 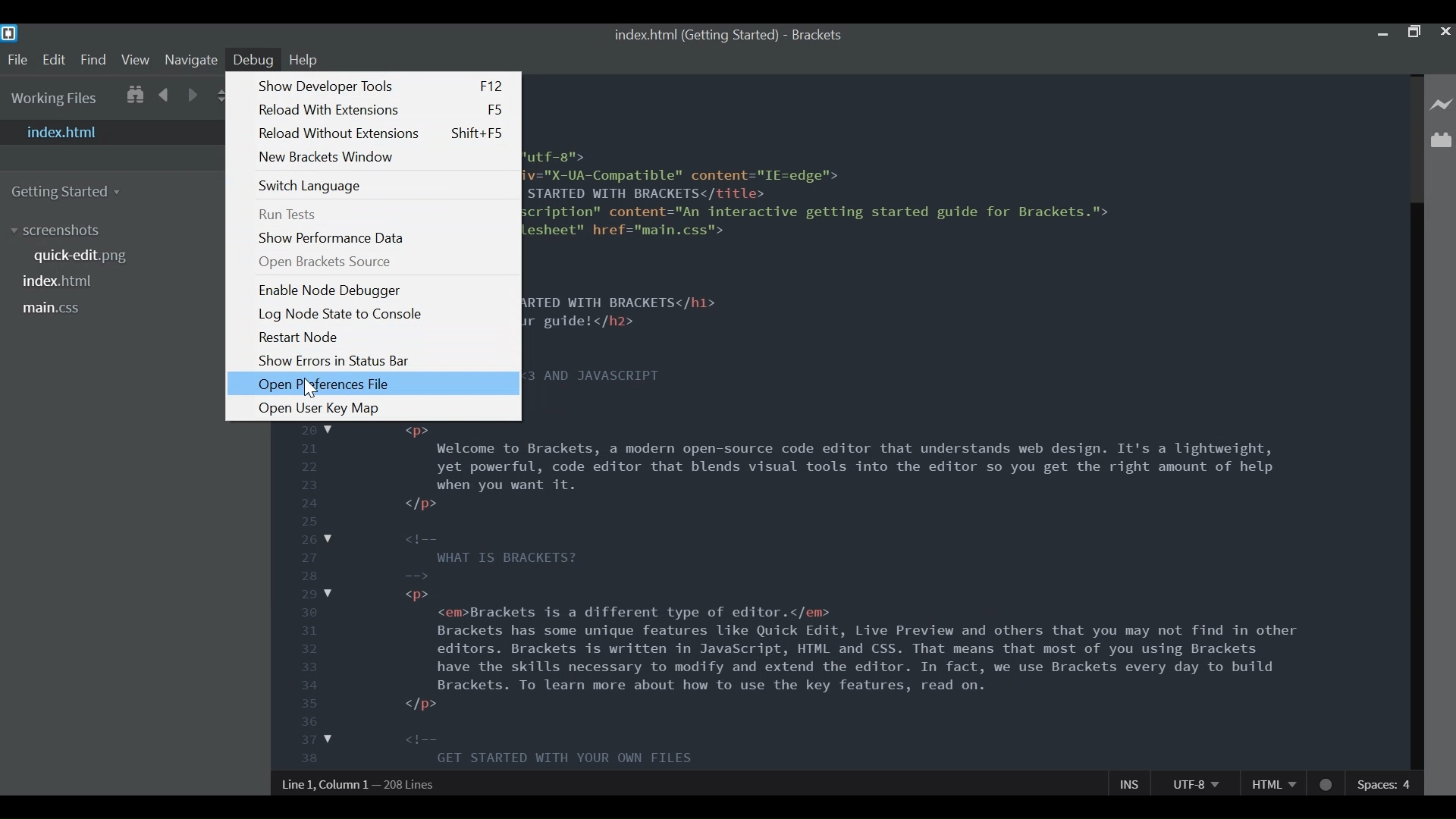 I want to click on Insert, so click(x=1129, y=783).